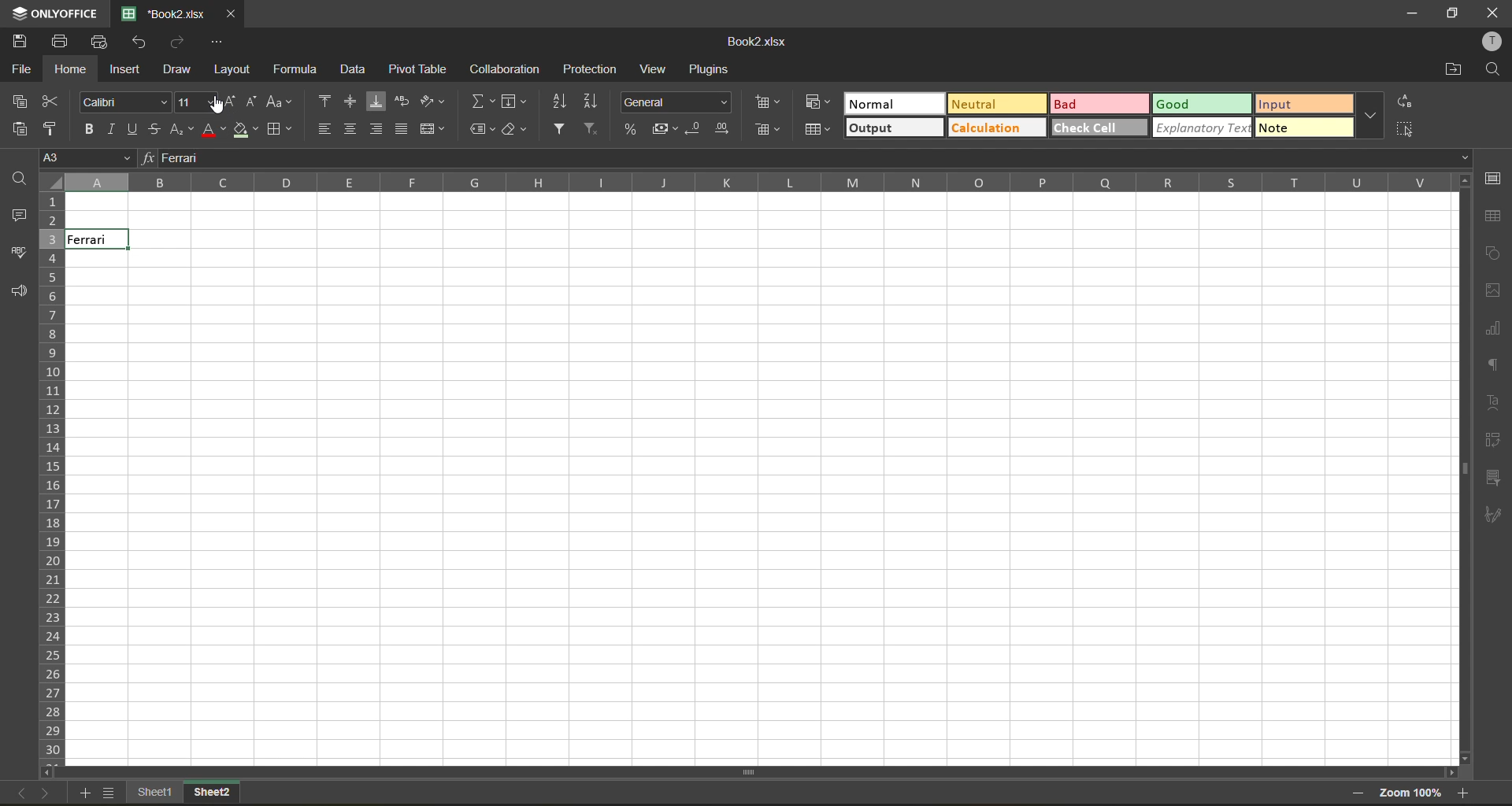  Describe the element at coordinates (18, 792) in the screenshot. I see `previous` at that location.